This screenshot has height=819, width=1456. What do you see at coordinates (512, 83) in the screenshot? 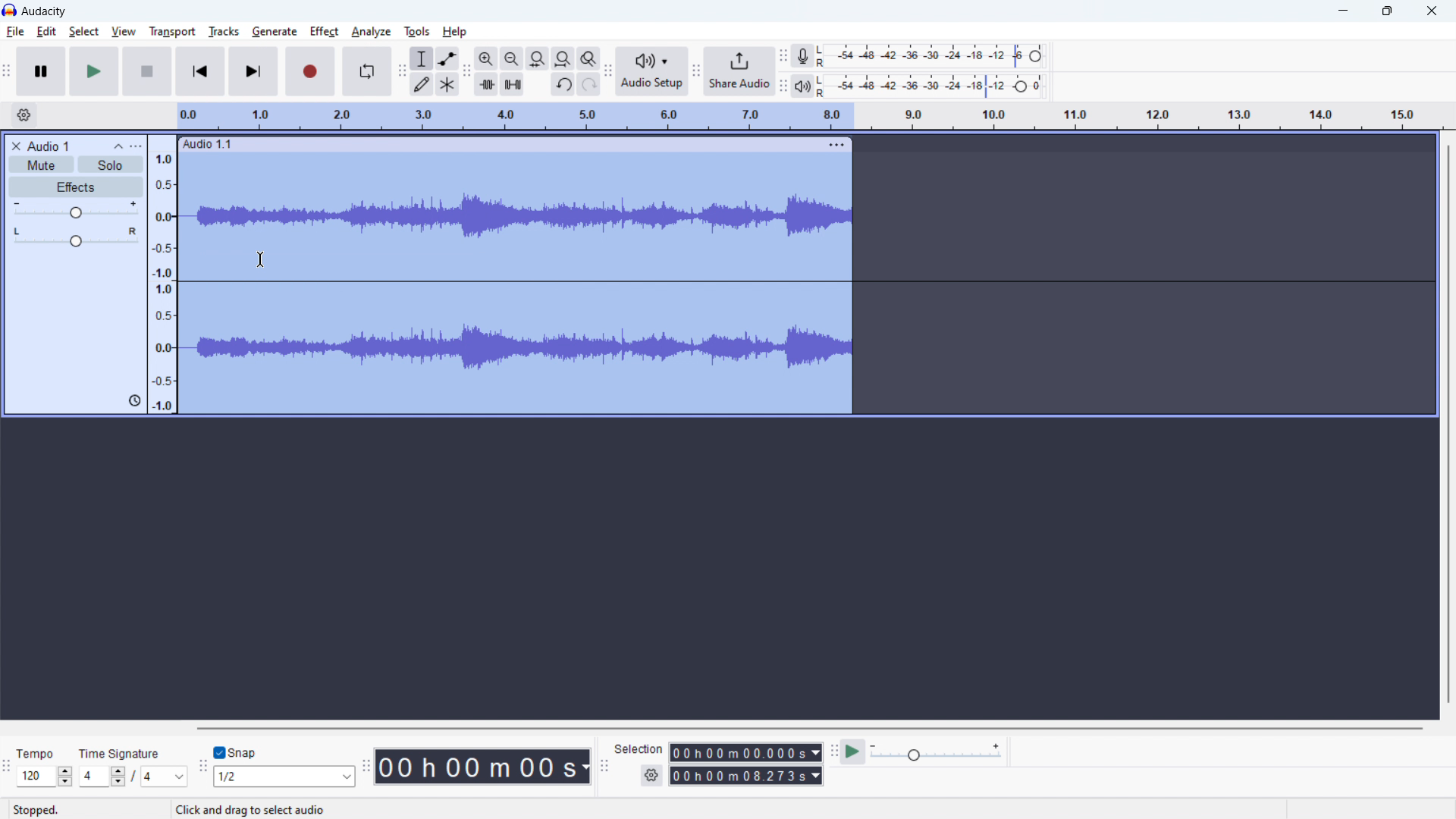
I see `silence audio selection` at bounding box center [512, 83].